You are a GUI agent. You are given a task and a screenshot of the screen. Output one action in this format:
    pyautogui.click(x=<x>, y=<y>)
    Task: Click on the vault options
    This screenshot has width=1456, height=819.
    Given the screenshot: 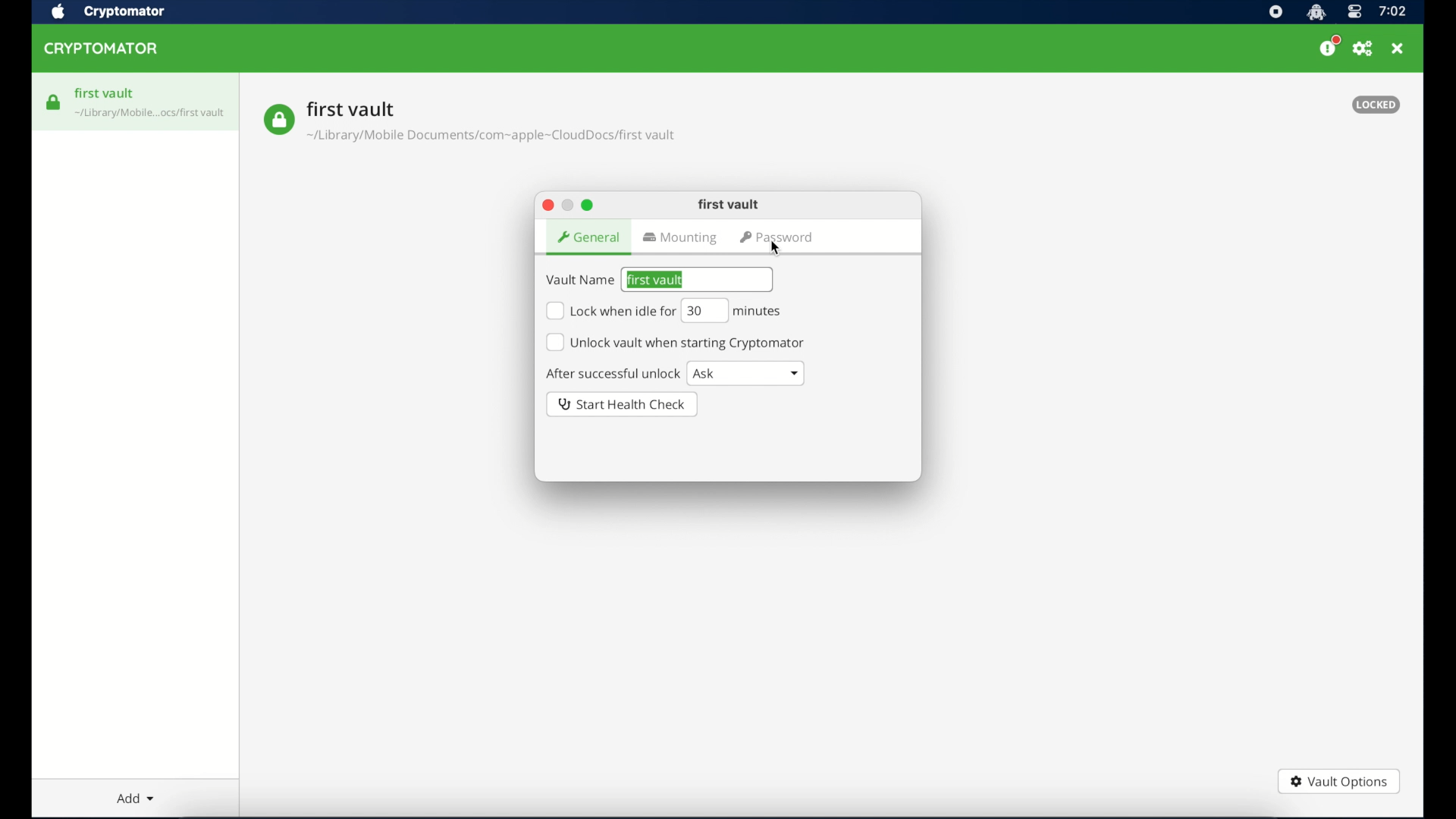 What is the action you would take?
    pyautogui.click(x=1338, y=783)
    